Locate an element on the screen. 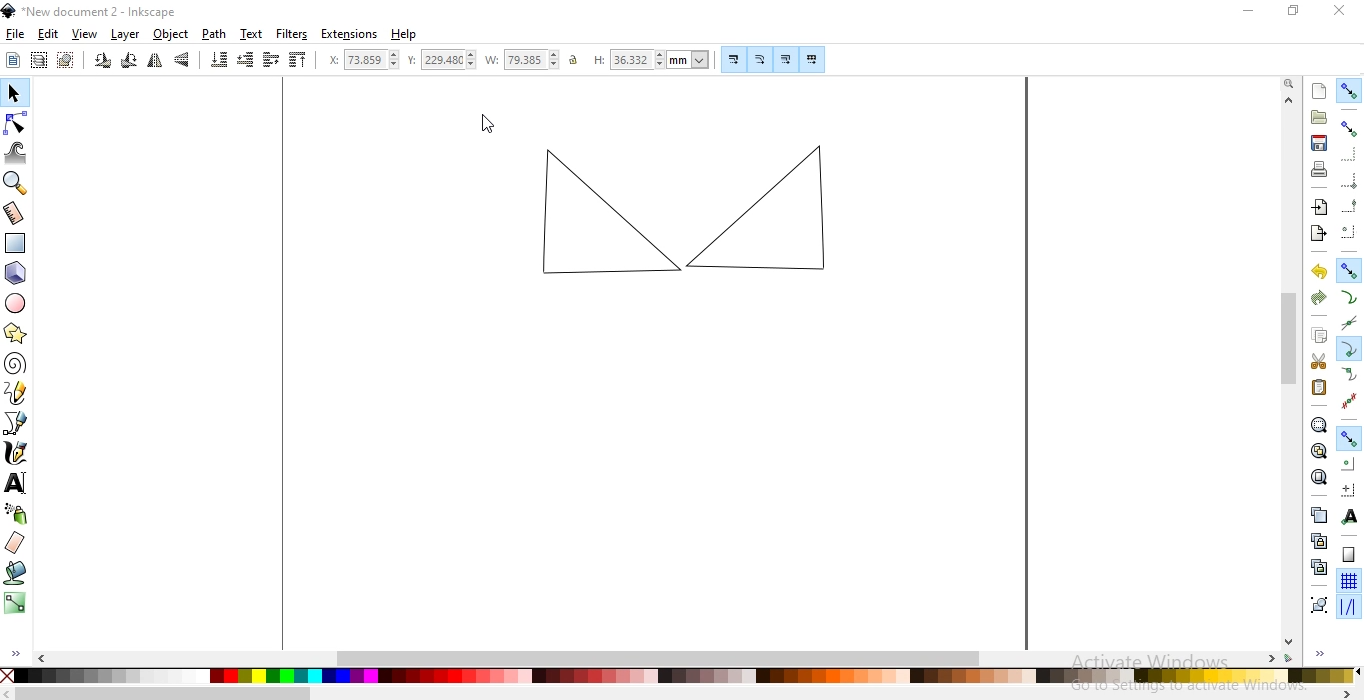  copy selection to clipboard is located at coordinates (1320, 337).